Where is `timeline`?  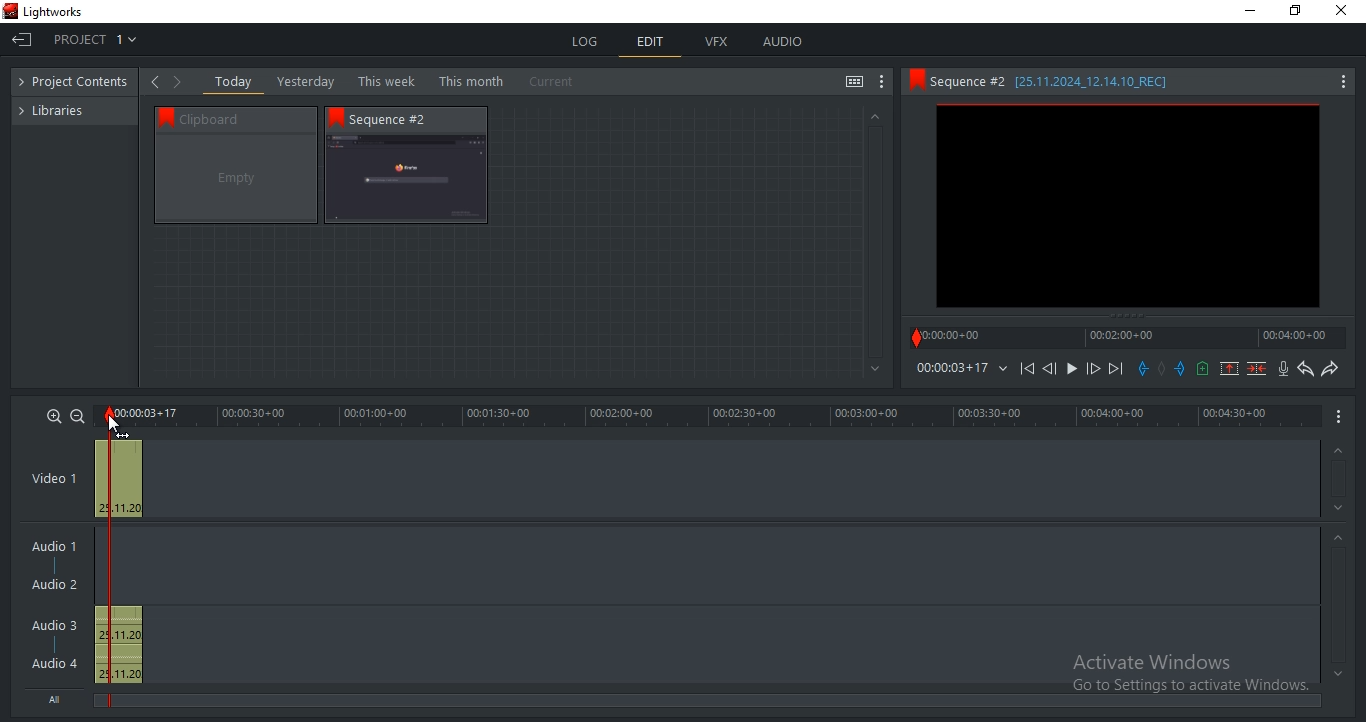 timeline is located at coordinates (1128, 337).